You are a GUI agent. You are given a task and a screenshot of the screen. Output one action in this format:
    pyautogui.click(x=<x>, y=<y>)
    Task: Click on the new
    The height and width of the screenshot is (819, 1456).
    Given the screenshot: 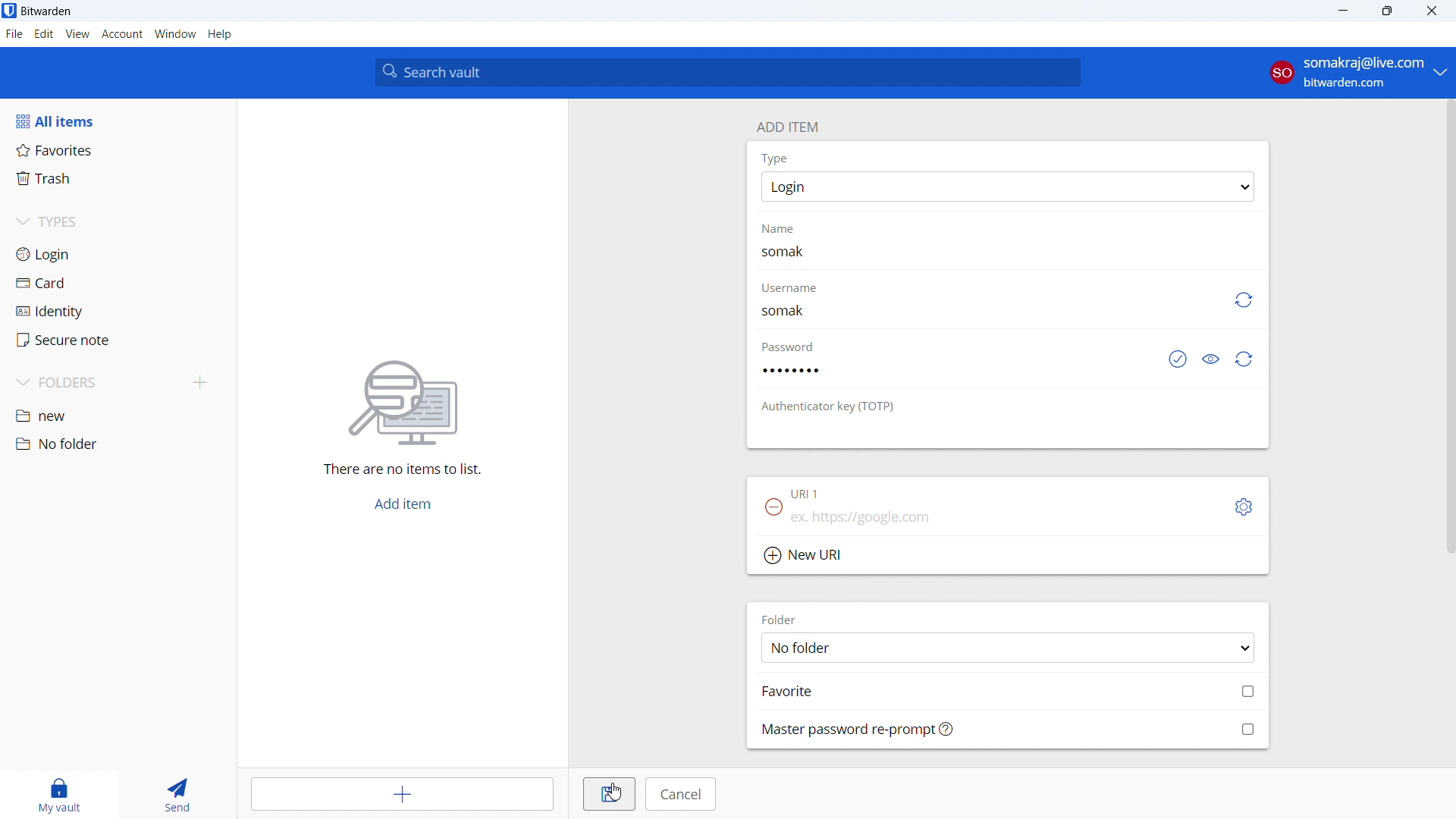 What is the action you would take?
    pyautogui.click(x=118, y=417)
    